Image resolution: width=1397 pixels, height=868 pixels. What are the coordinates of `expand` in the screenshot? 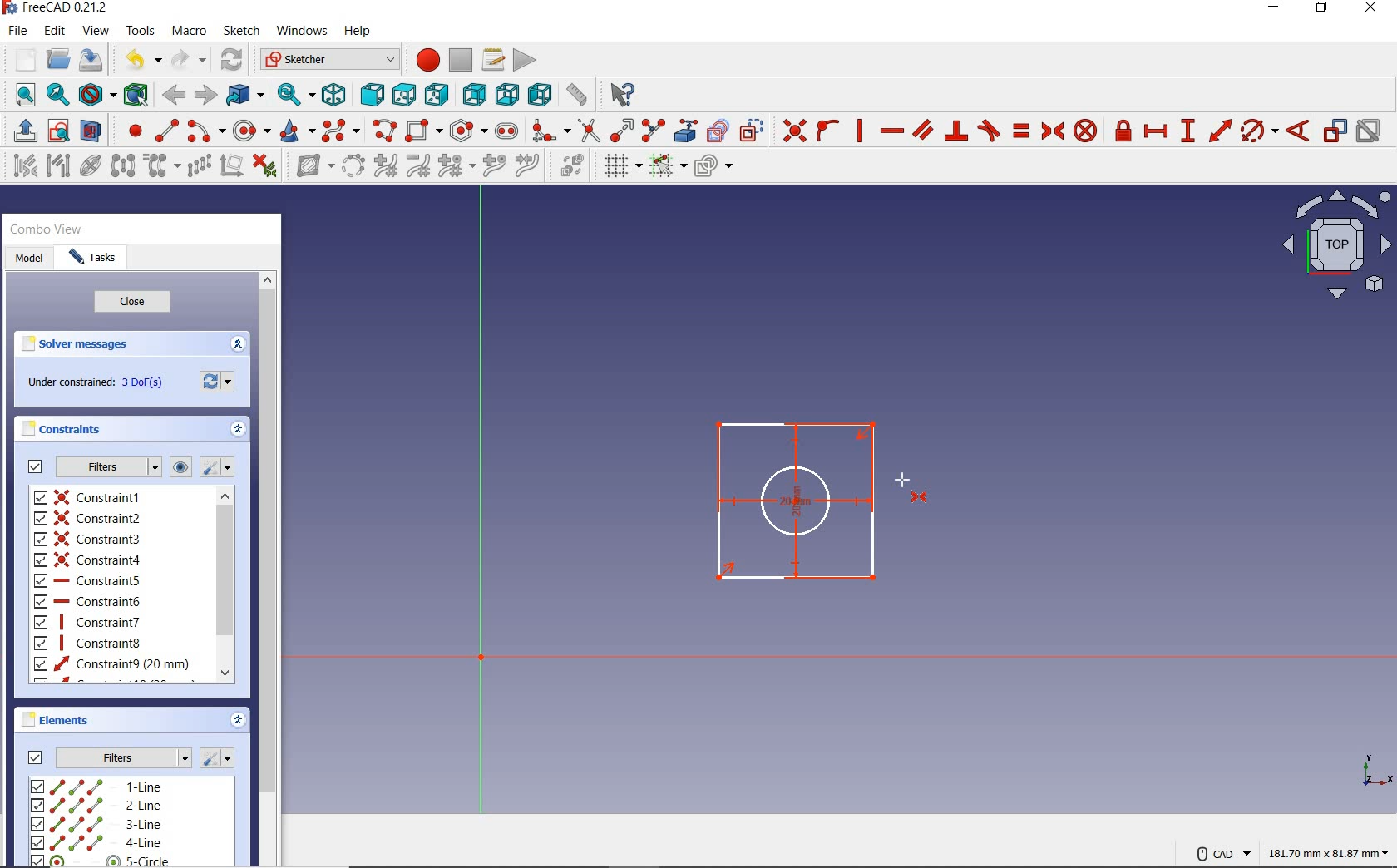 It's located at (241, 345).